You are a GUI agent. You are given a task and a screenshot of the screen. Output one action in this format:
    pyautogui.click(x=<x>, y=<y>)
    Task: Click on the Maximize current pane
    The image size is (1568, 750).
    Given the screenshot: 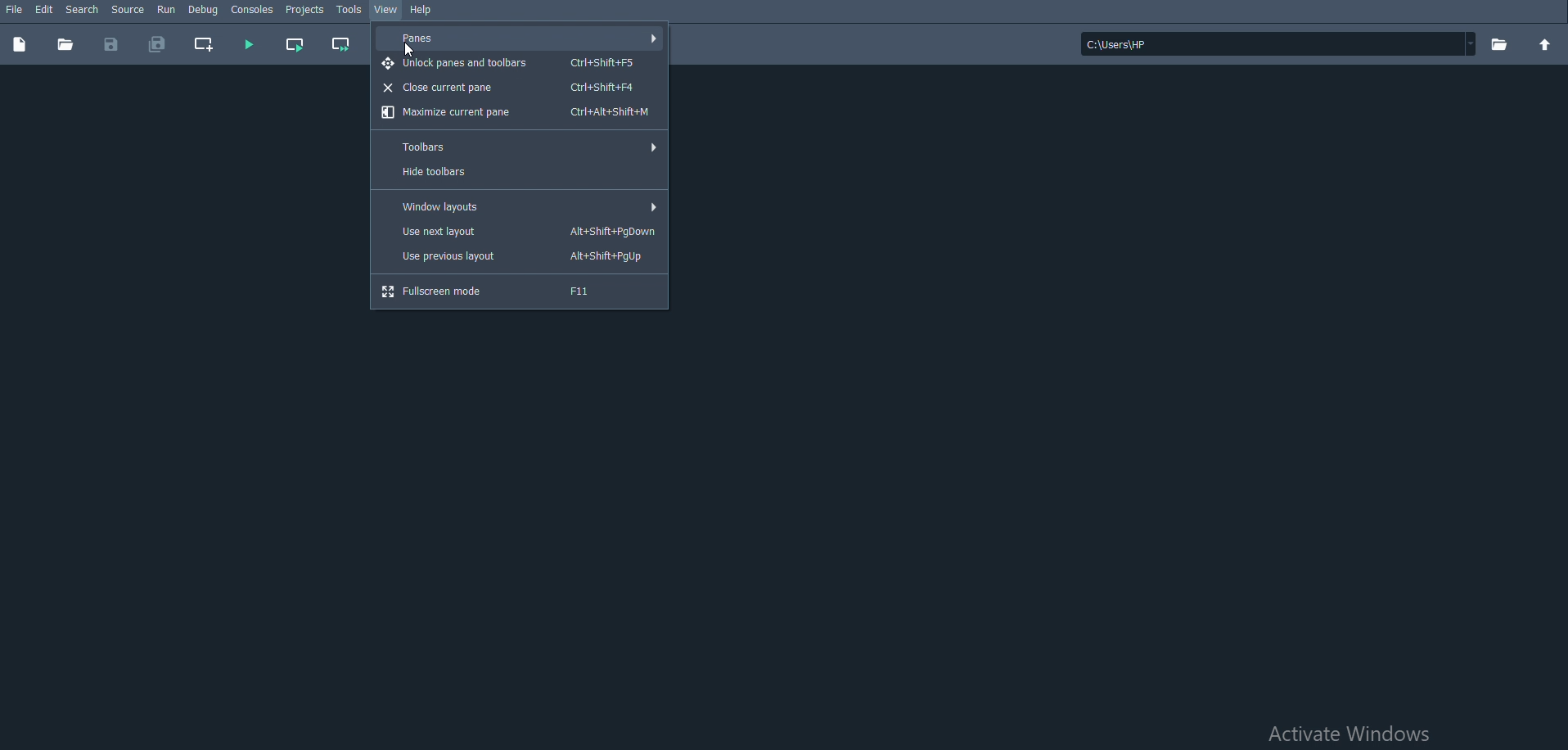 What is the action you would take?
    pyautogui.click(x=516, y=111)
    